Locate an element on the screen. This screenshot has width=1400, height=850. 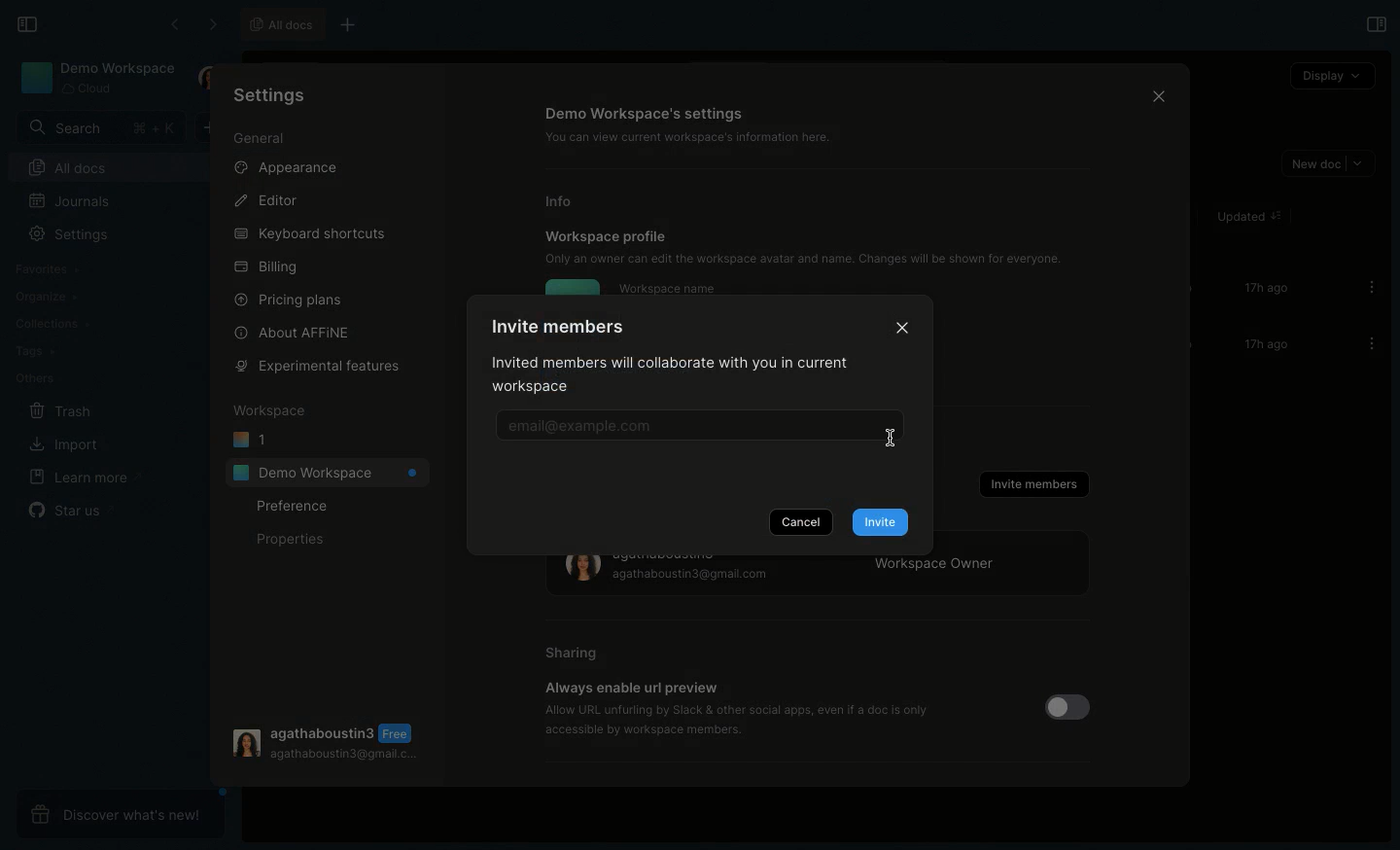
New doc is located at coordinates (1326, 164).